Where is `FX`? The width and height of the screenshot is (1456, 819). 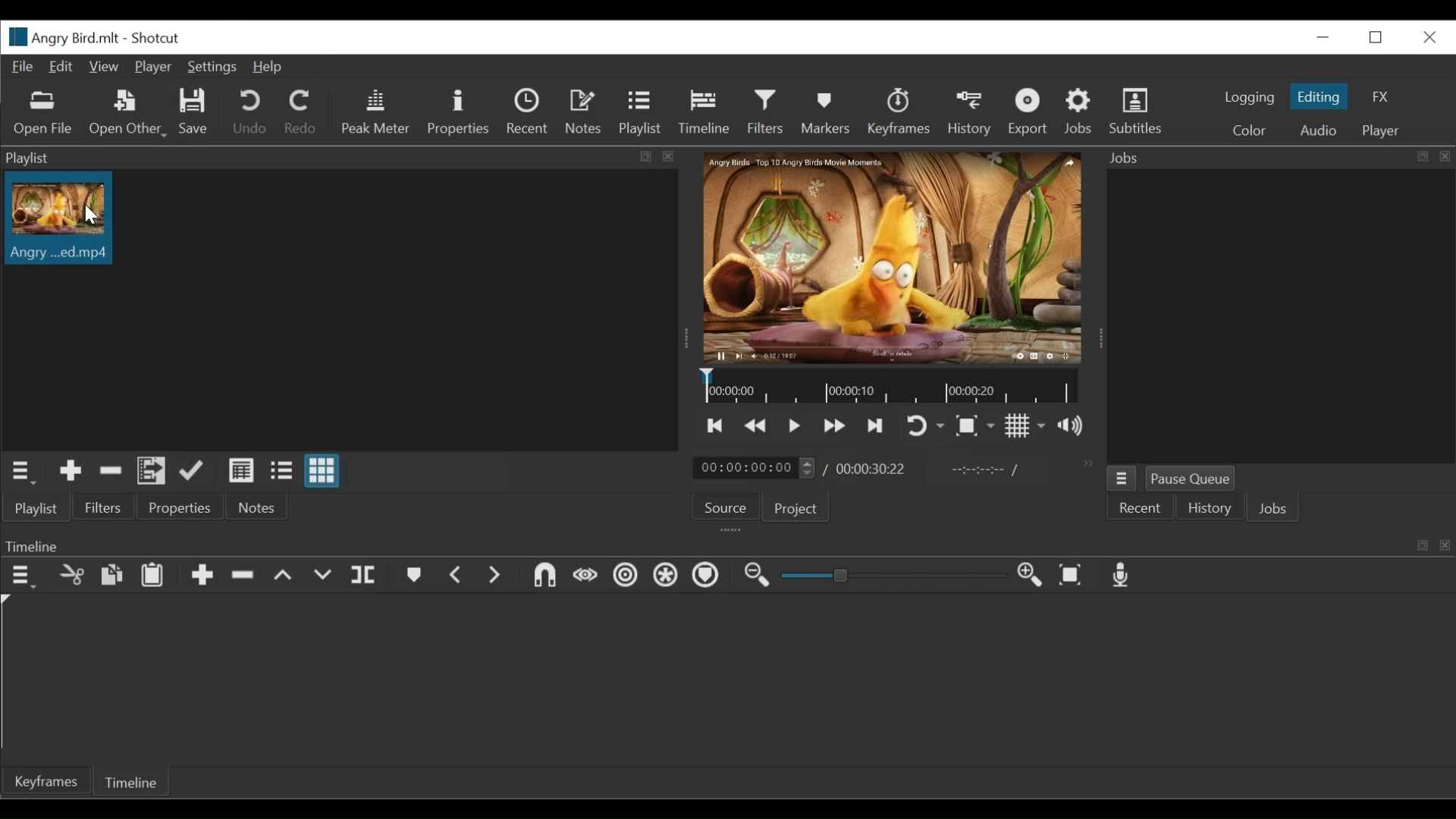 FX is located at coordinates (1379, 96).